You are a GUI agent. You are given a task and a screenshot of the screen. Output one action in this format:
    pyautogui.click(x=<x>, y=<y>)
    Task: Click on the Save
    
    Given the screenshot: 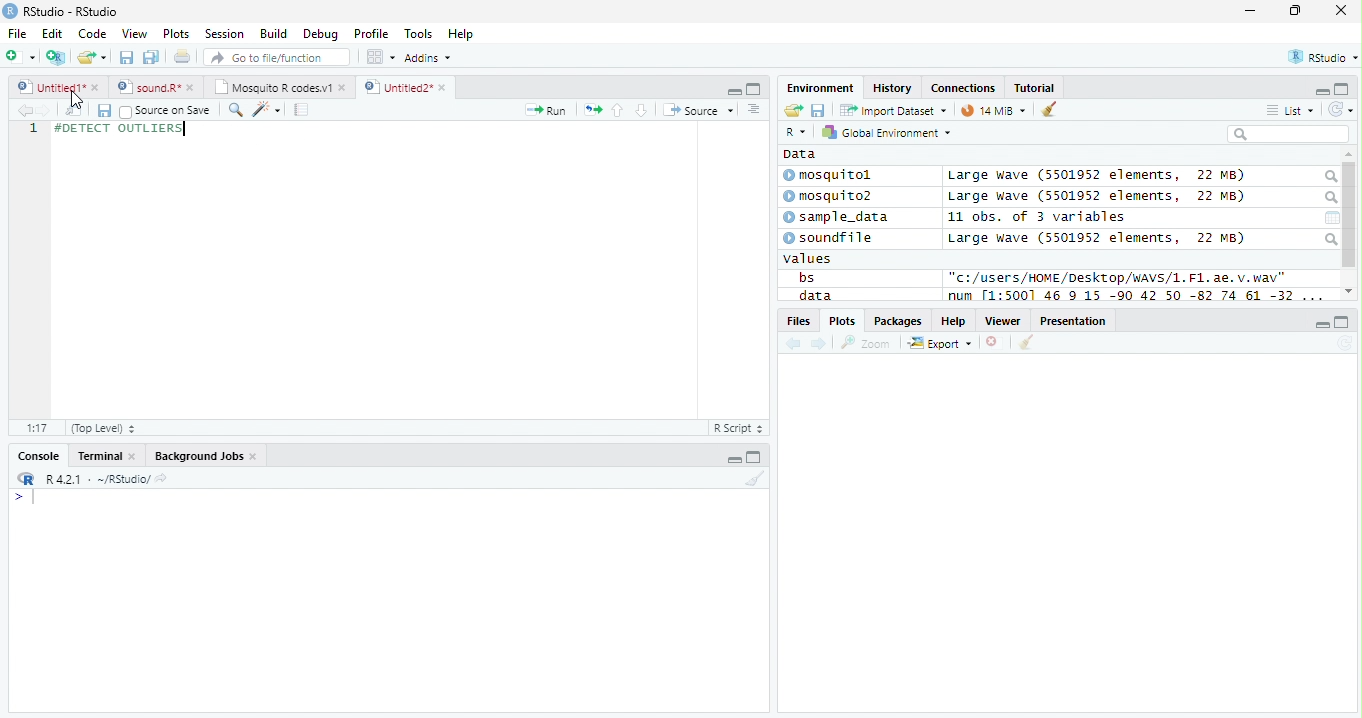 What is the action you would take?
    pyautogui.click(x=103, y=111)
    